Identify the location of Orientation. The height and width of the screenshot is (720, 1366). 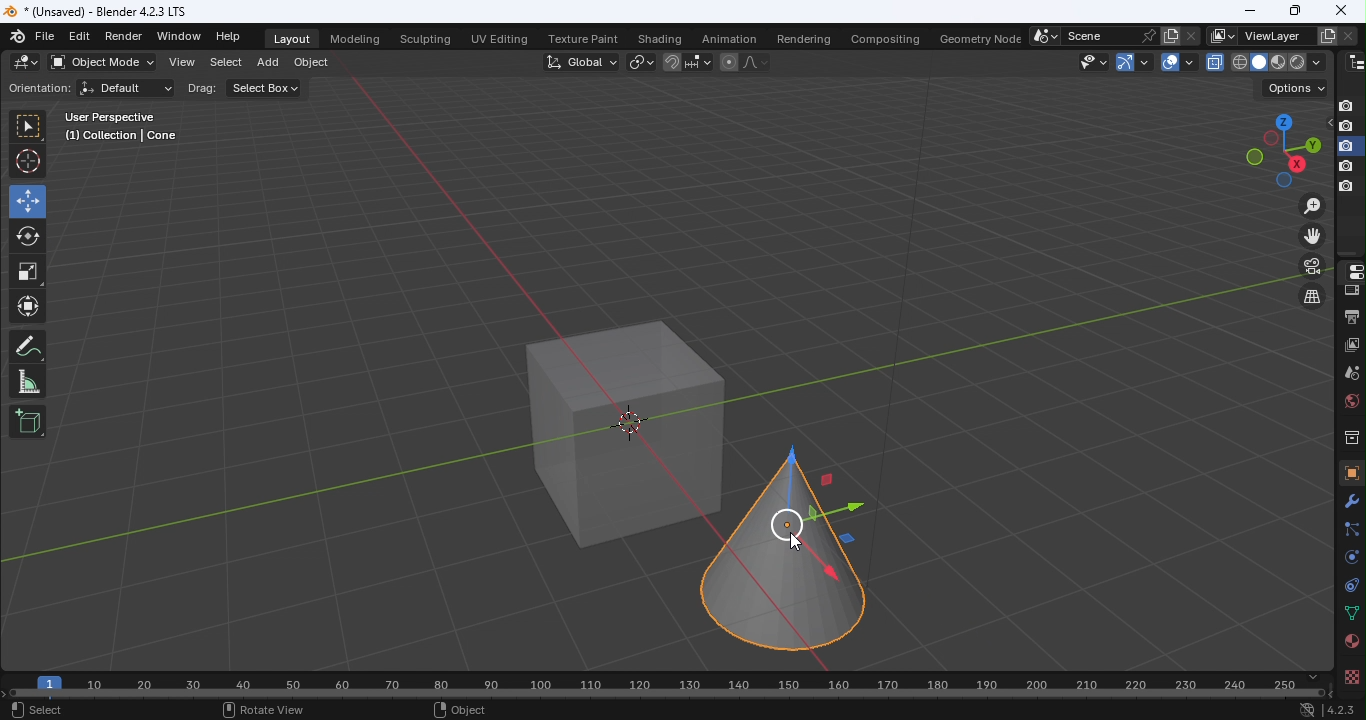
(36, 89).